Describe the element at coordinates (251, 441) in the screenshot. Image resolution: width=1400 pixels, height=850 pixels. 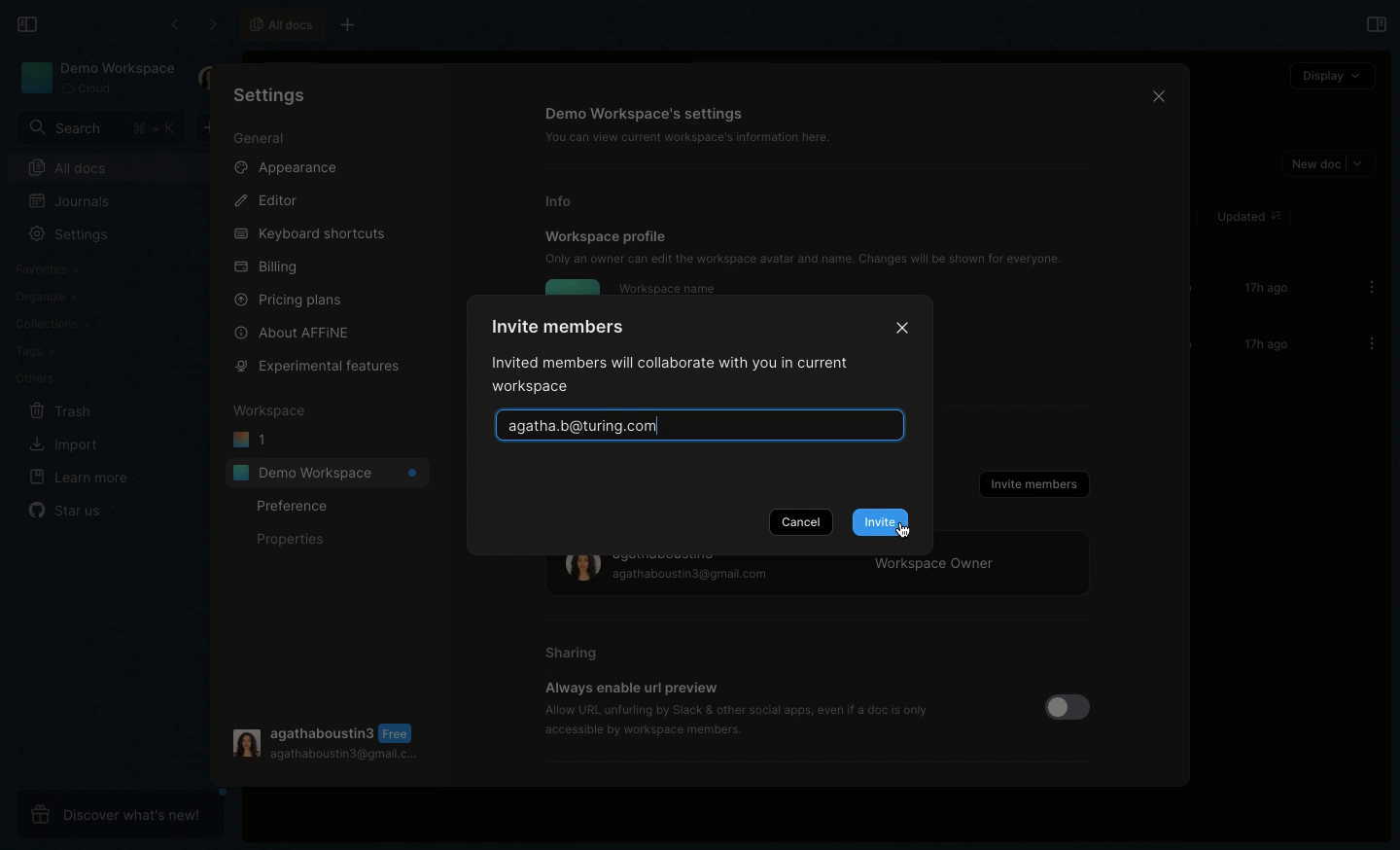
I see `1` at that location.